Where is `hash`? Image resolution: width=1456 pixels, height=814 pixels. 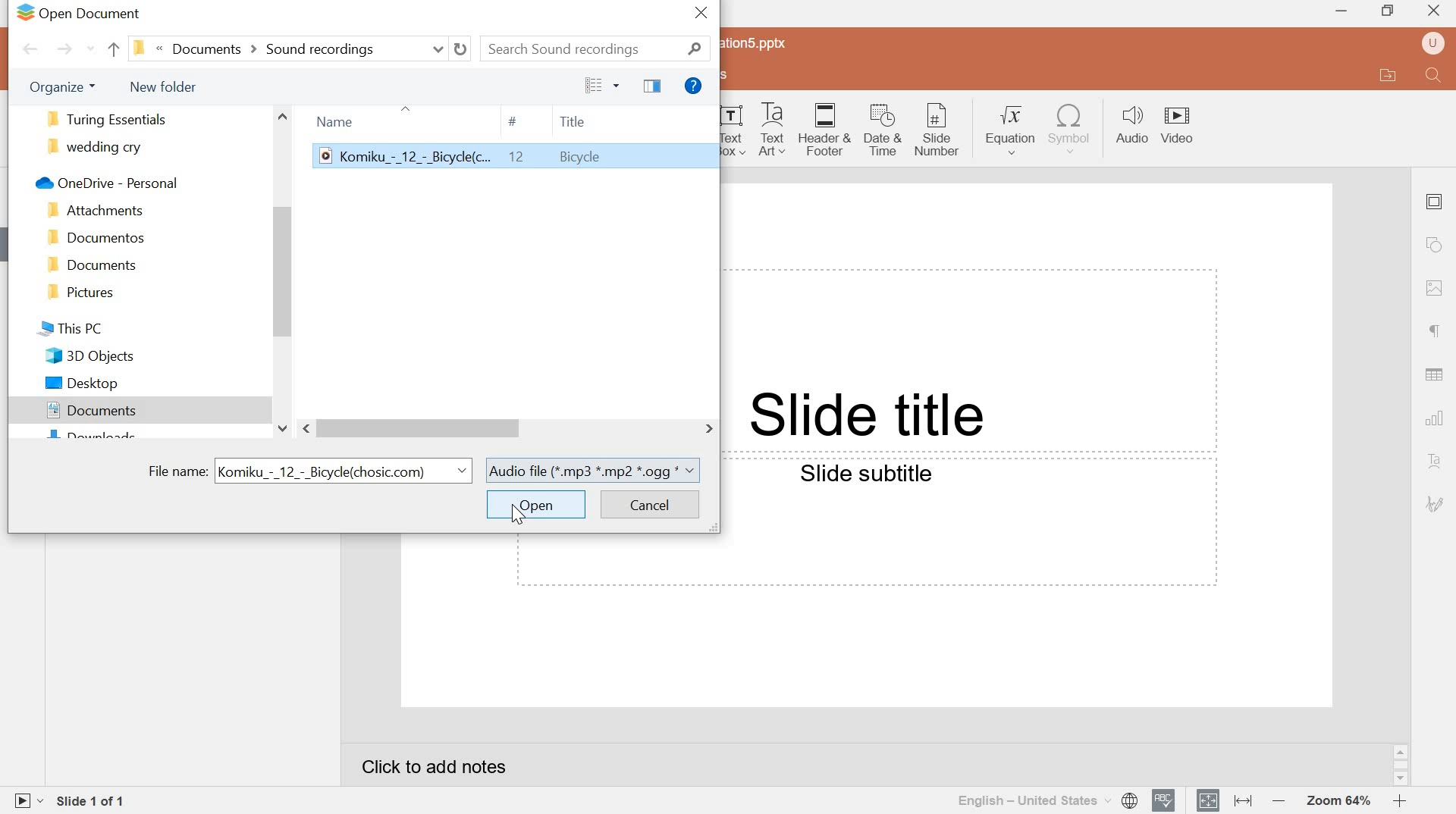 hash is located at coordinates (512, 122).